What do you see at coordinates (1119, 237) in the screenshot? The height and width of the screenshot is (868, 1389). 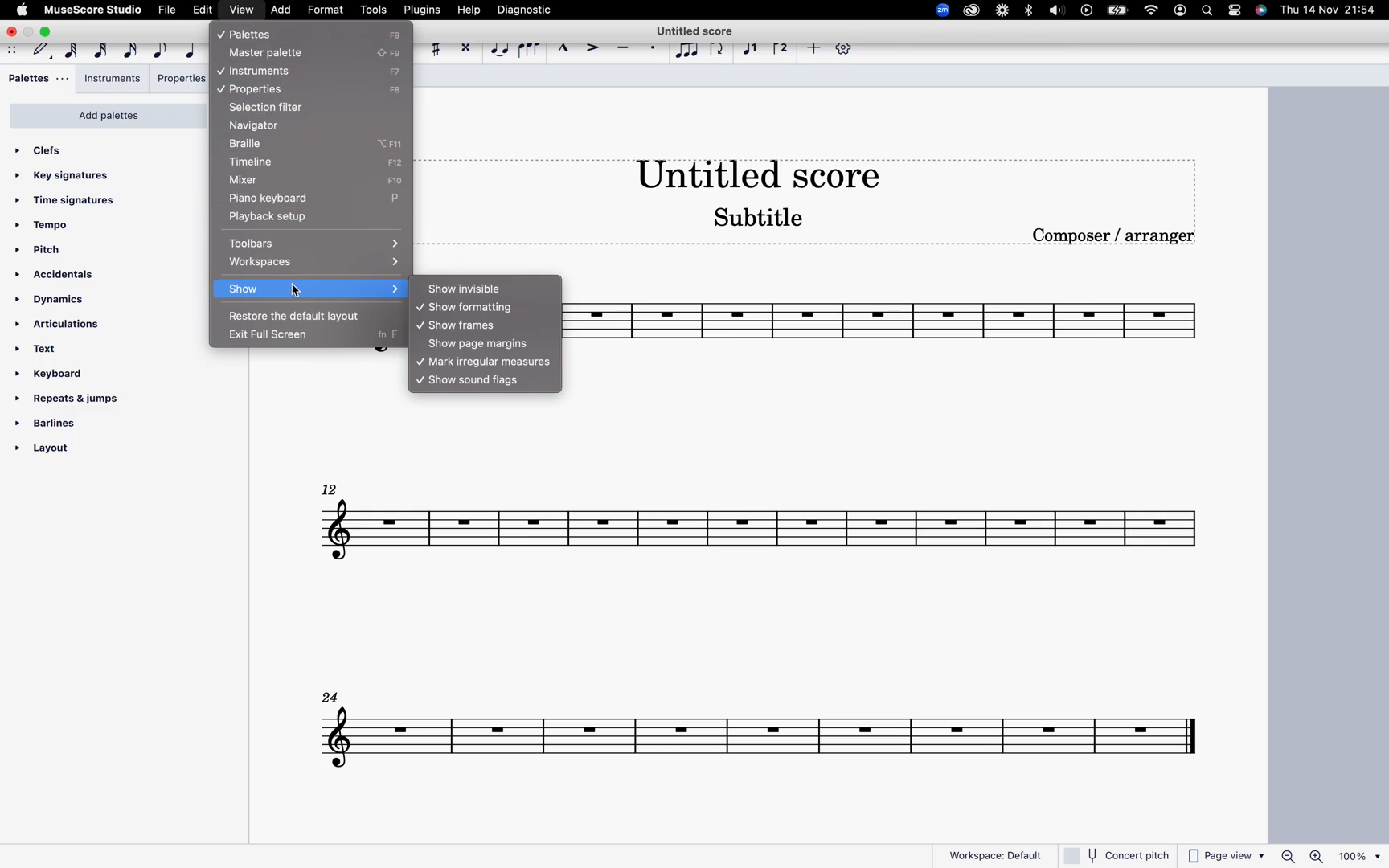 I see `composer / arranger` at bounding box center [1119, 237].